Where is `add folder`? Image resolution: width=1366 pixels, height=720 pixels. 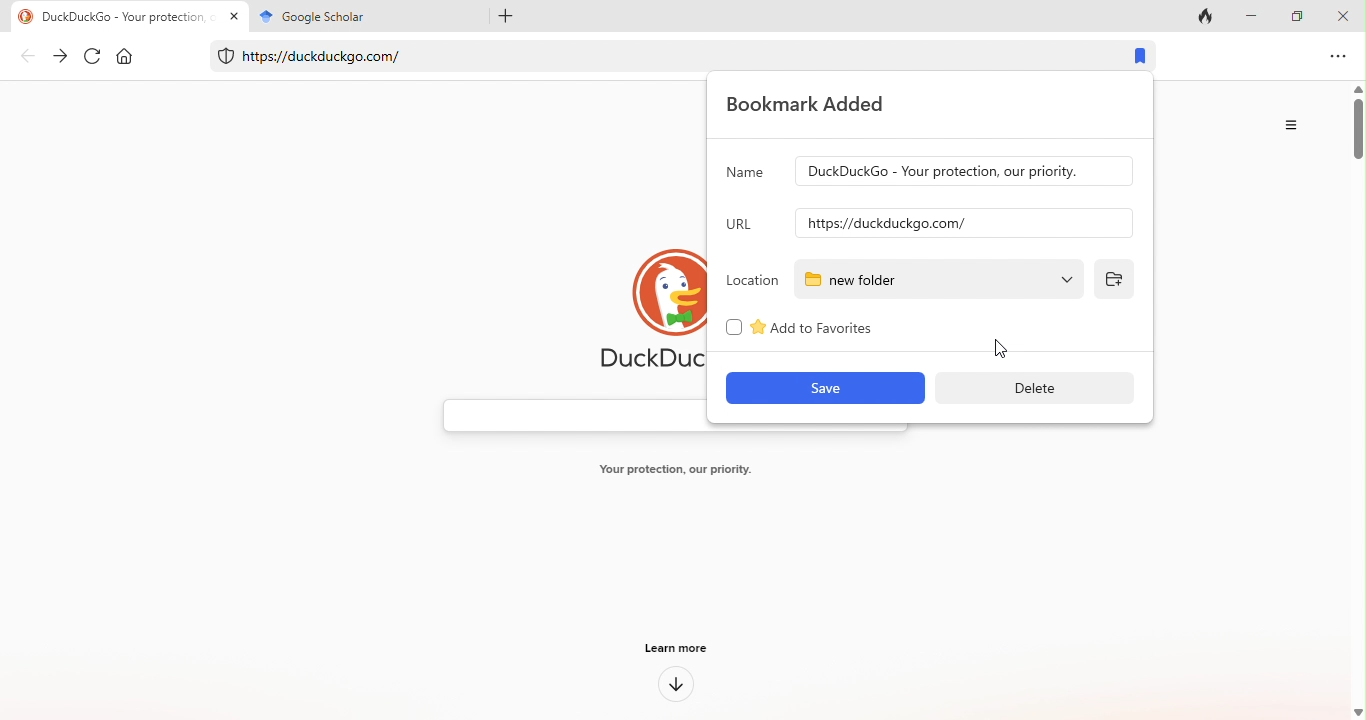 add folder is located at coordinates (1113, 277).